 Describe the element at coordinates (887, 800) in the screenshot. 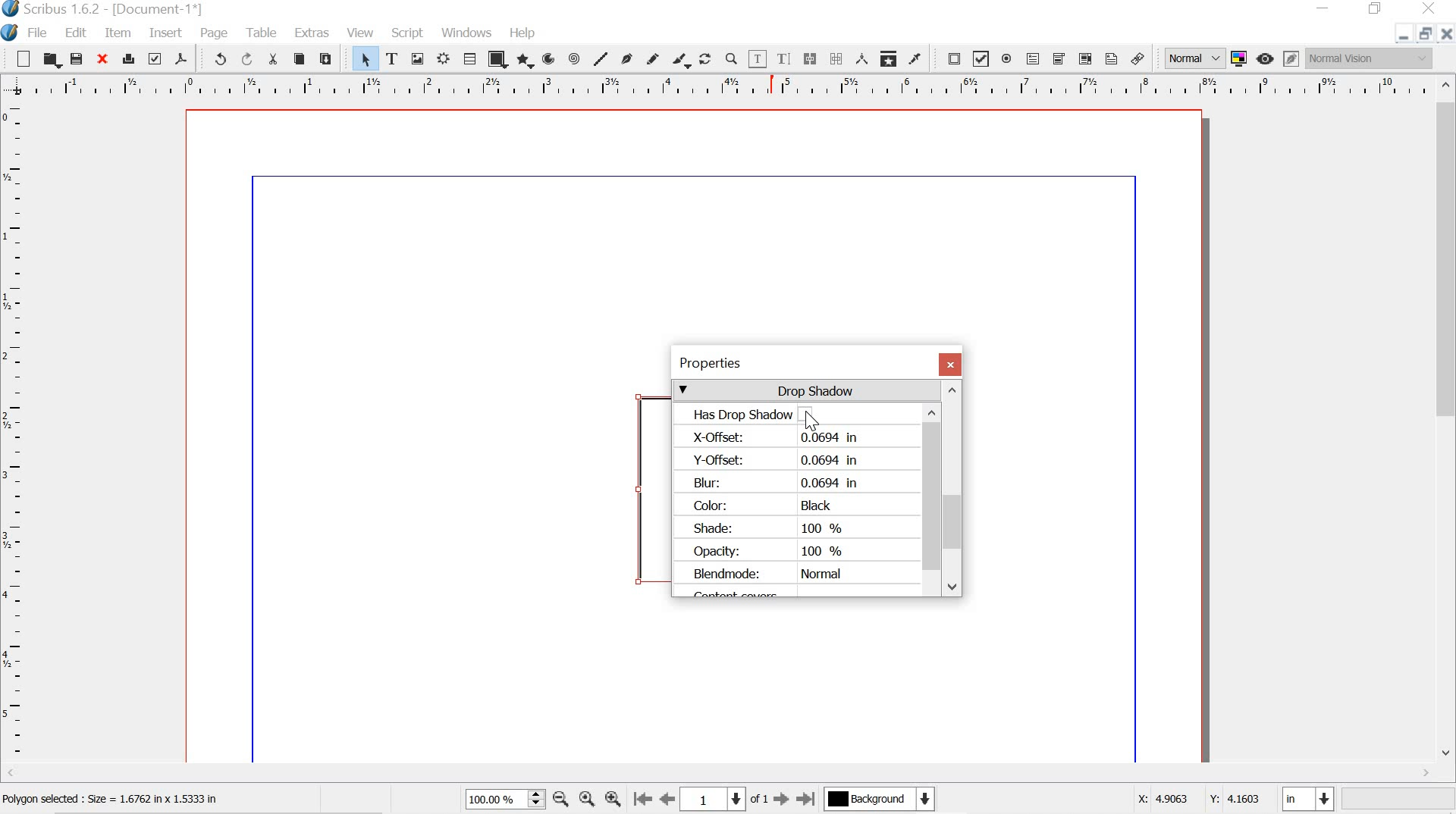

I see `background` at that location.